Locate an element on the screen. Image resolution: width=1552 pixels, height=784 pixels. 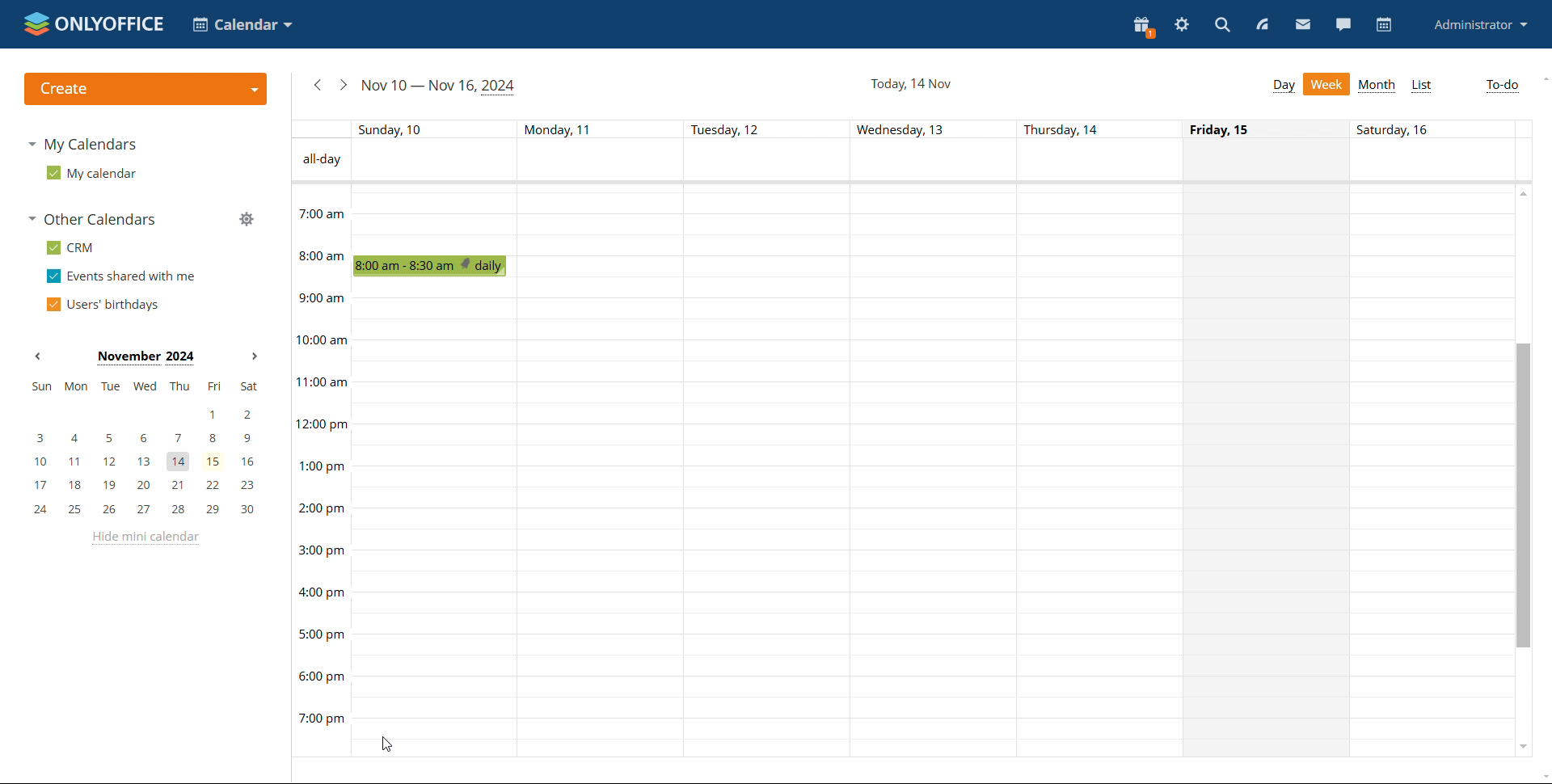
users' birthdays is located at coordinates (102, 304).